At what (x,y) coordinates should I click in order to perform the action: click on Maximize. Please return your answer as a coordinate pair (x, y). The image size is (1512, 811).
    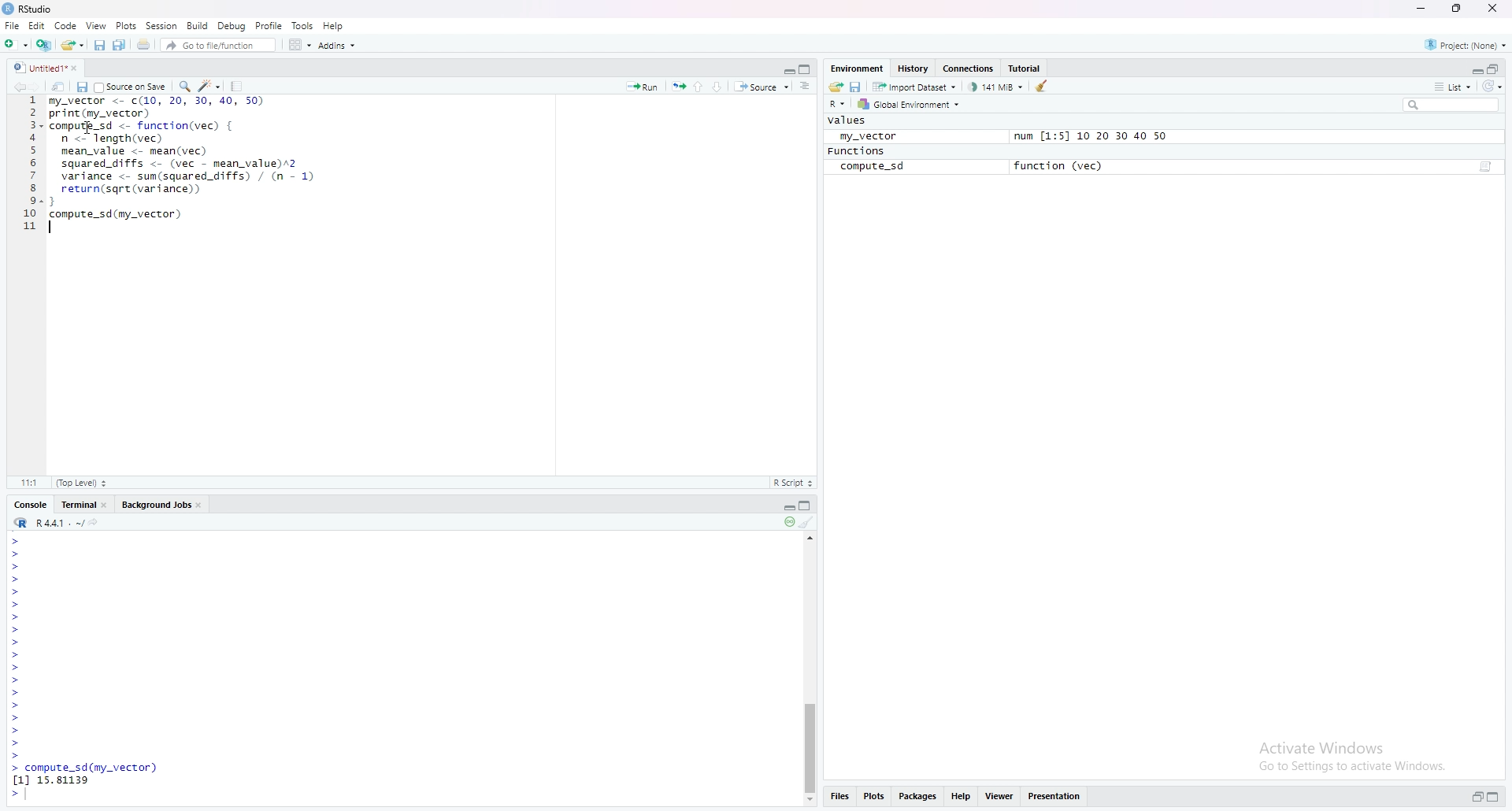
    Looking at the image, I should click on (1493, 796).